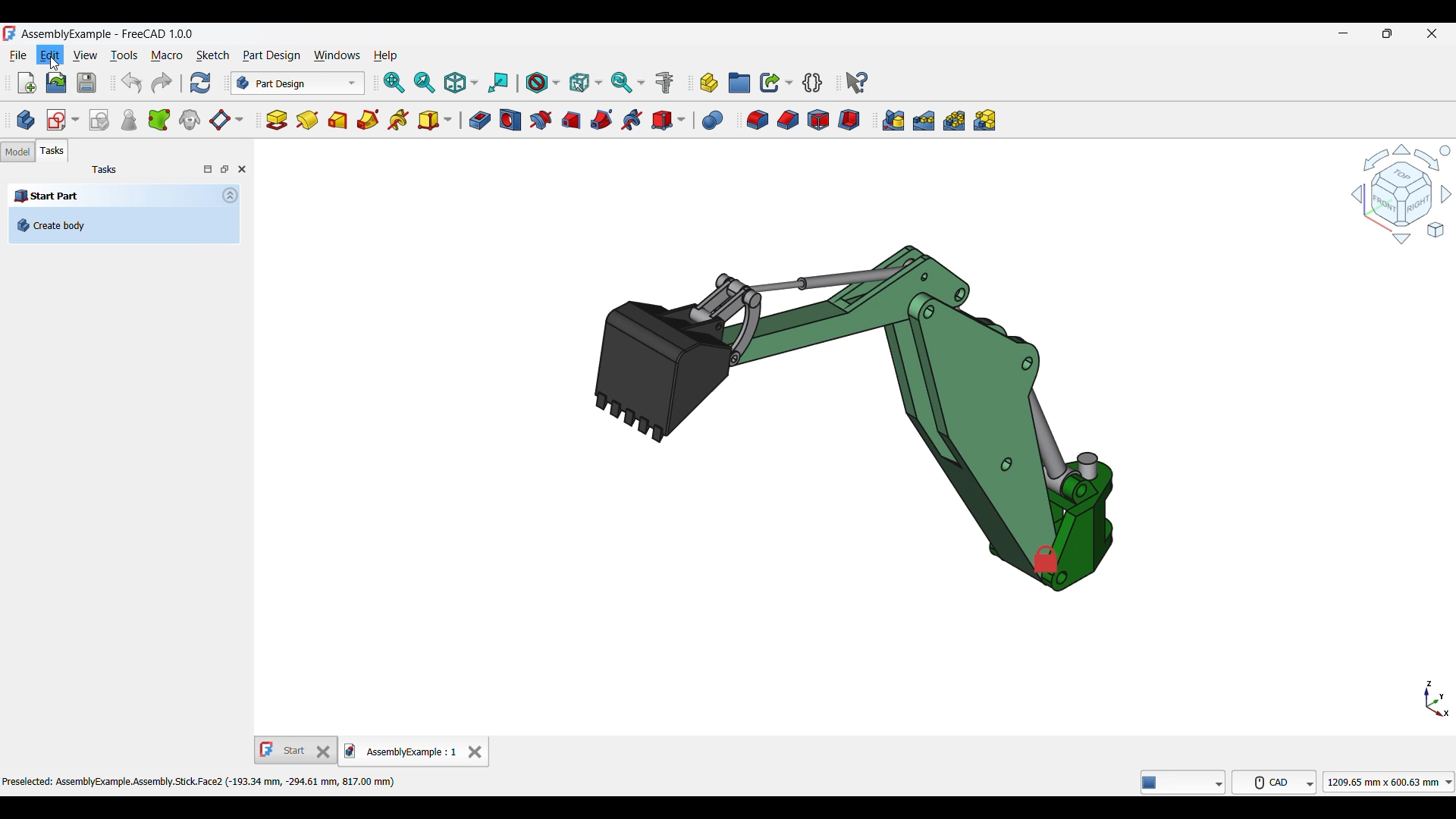  What do you see at coordinates (271, 56) in the screenshot?
I see `Part design menu` at bounding box center [271, 56].